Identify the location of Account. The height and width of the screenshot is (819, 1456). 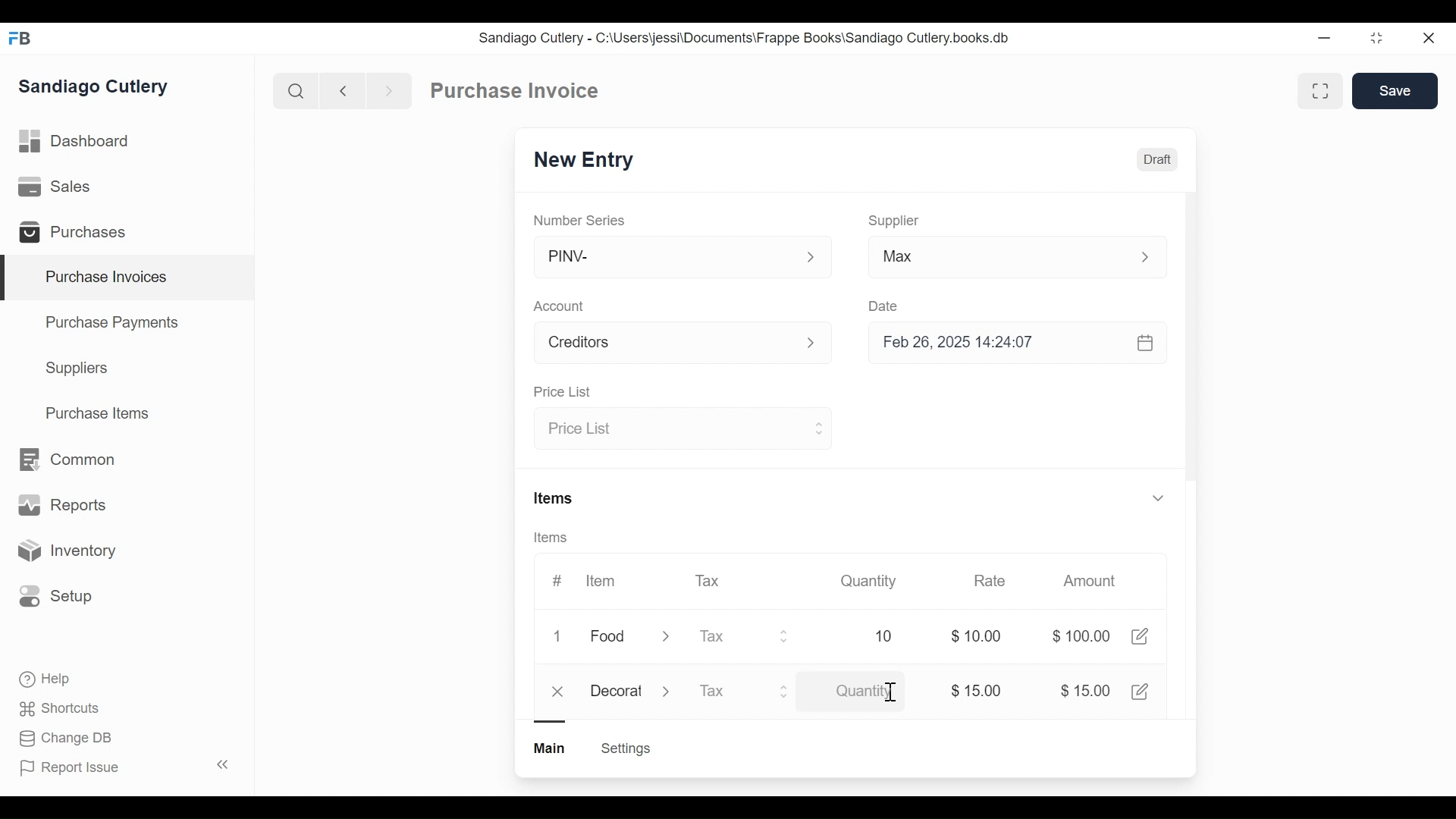
(664, 345).